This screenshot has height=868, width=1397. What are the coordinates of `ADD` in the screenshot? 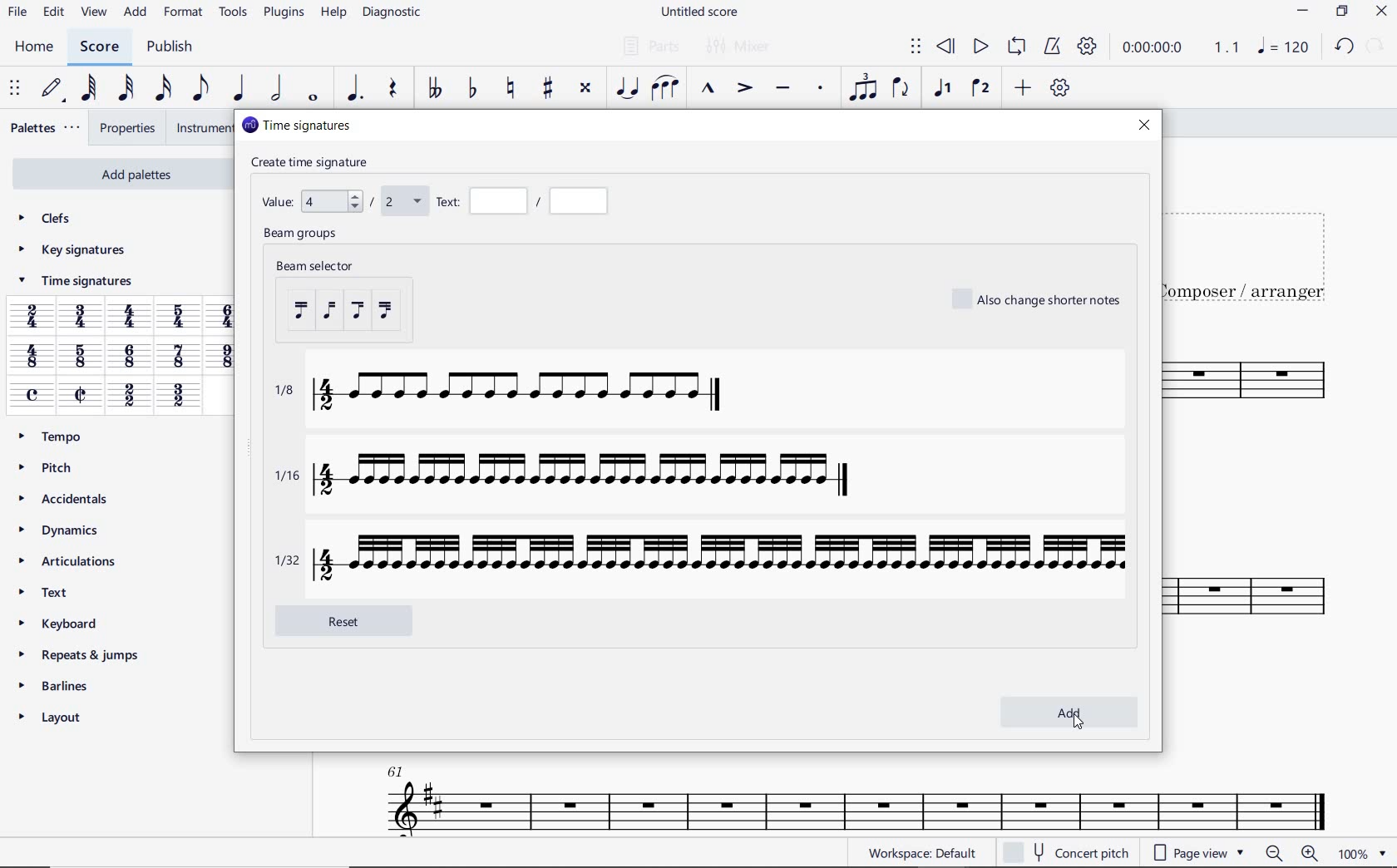 It's located at (136, 13).